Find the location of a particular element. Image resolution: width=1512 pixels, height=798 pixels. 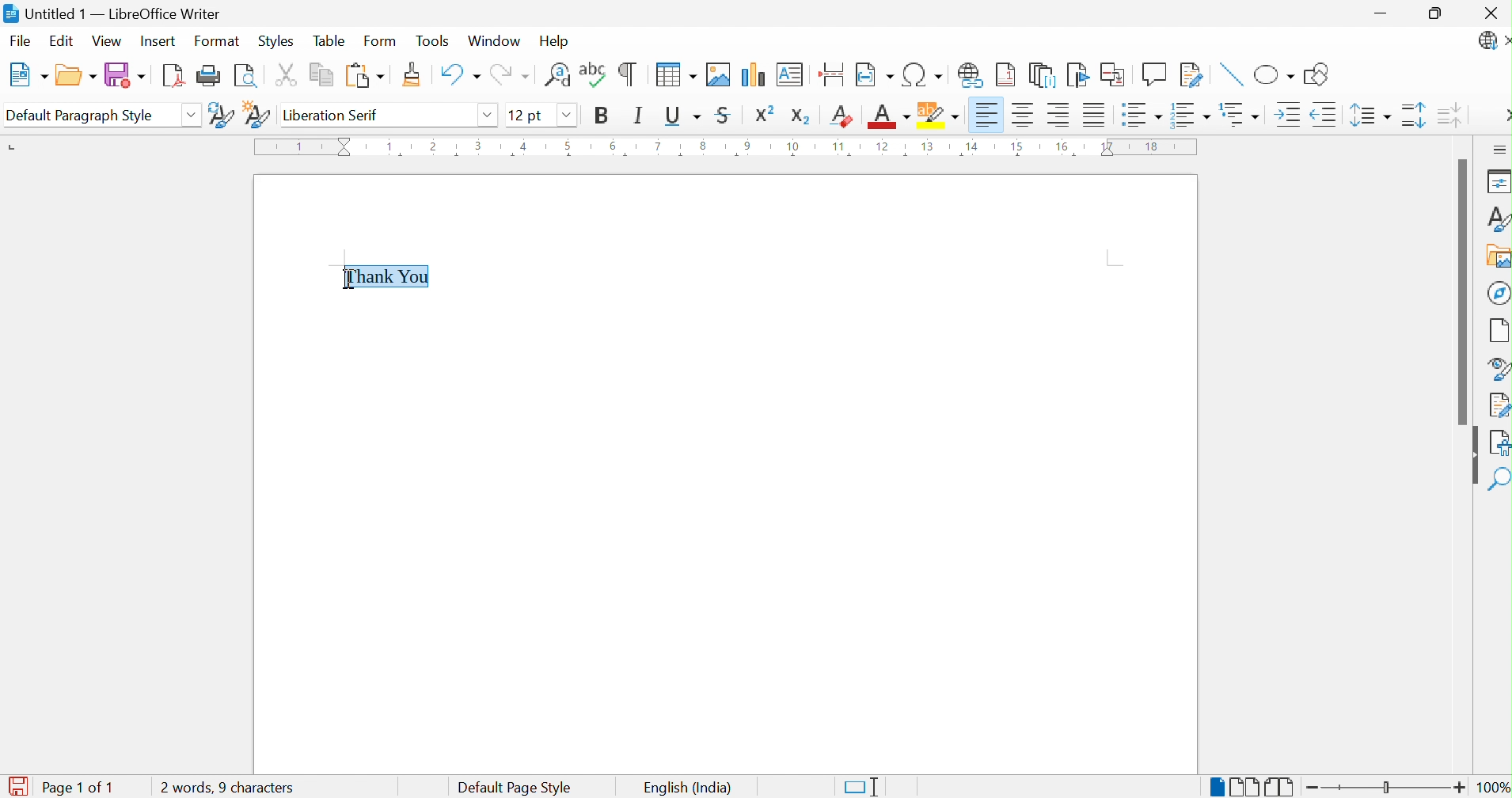

Drop Down is located at coordinates (490, 116).